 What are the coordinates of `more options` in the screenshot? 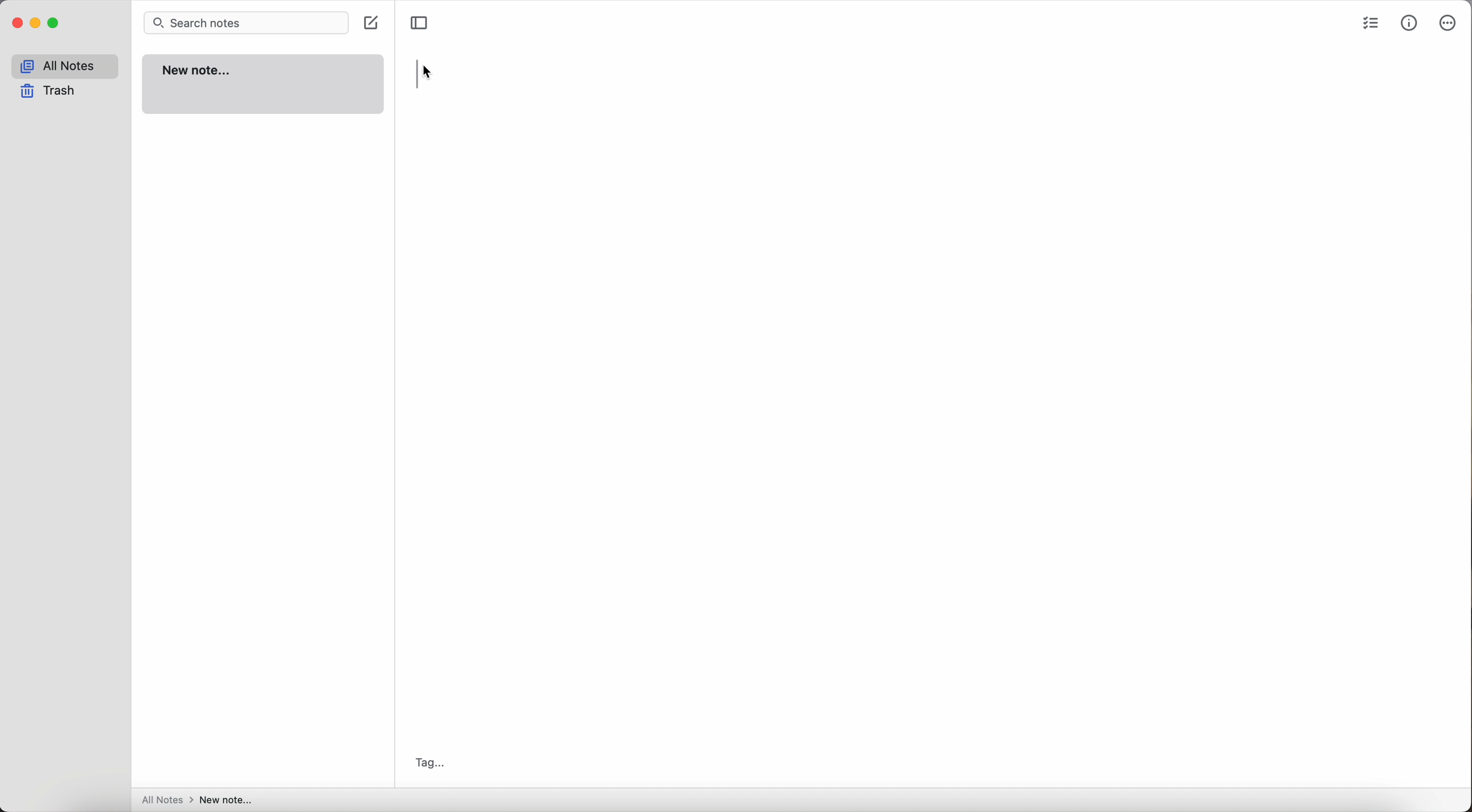 It's located at (1449, 24).